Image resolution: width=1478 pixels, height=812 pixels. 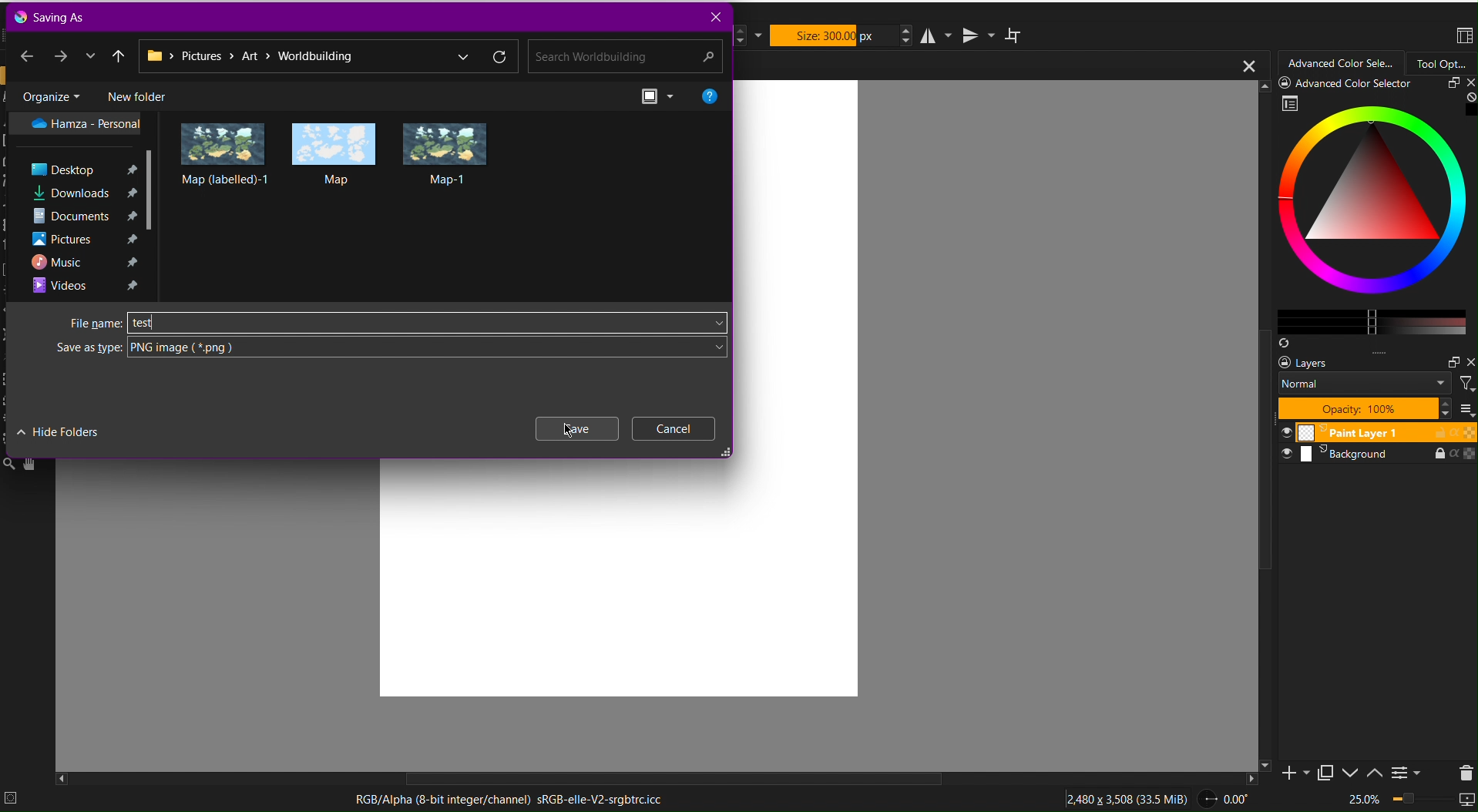 I want to click on Up, so click(x=119, y=55).